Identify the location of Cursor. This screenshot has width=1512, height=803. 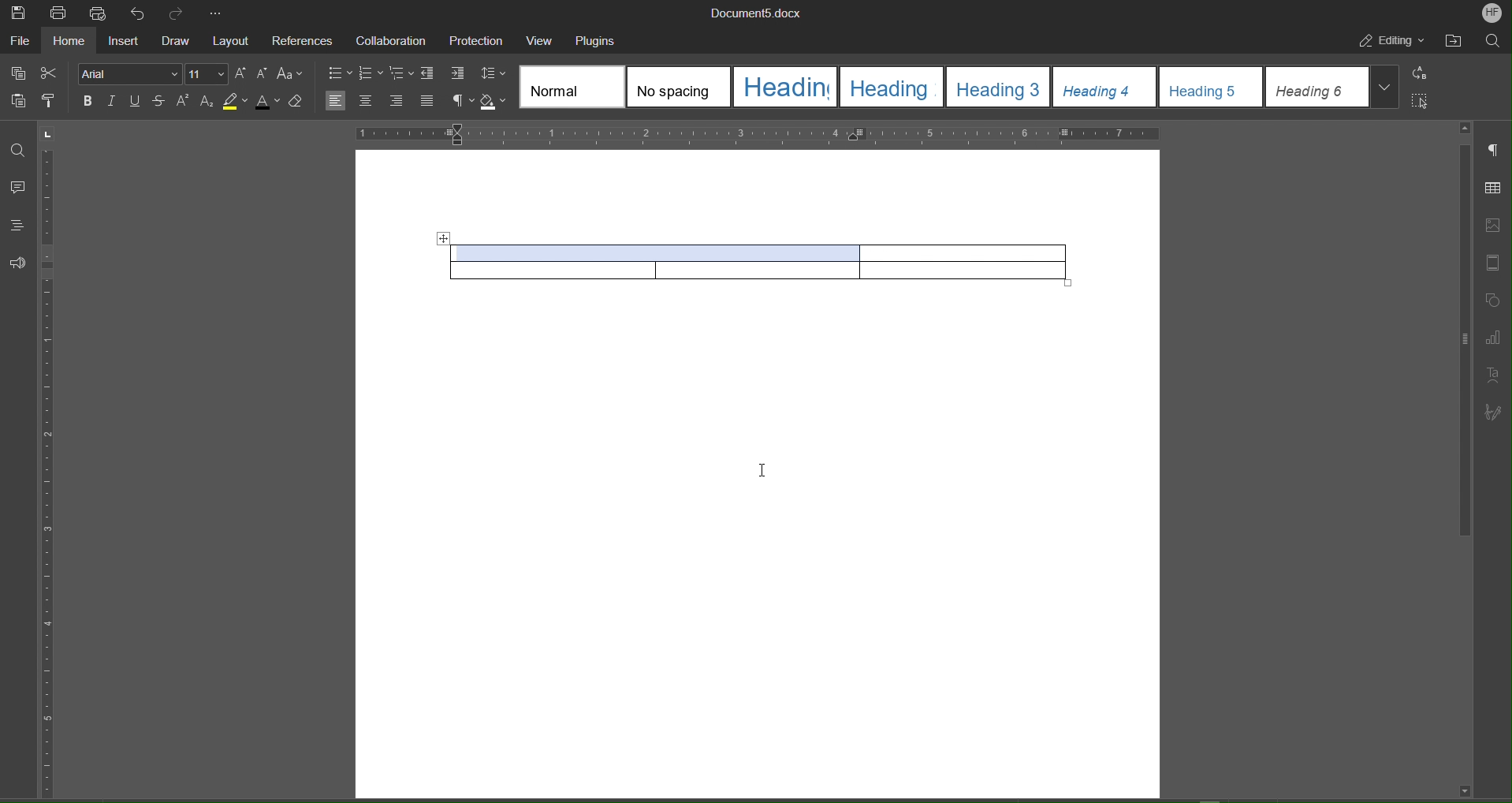
(763, 470).